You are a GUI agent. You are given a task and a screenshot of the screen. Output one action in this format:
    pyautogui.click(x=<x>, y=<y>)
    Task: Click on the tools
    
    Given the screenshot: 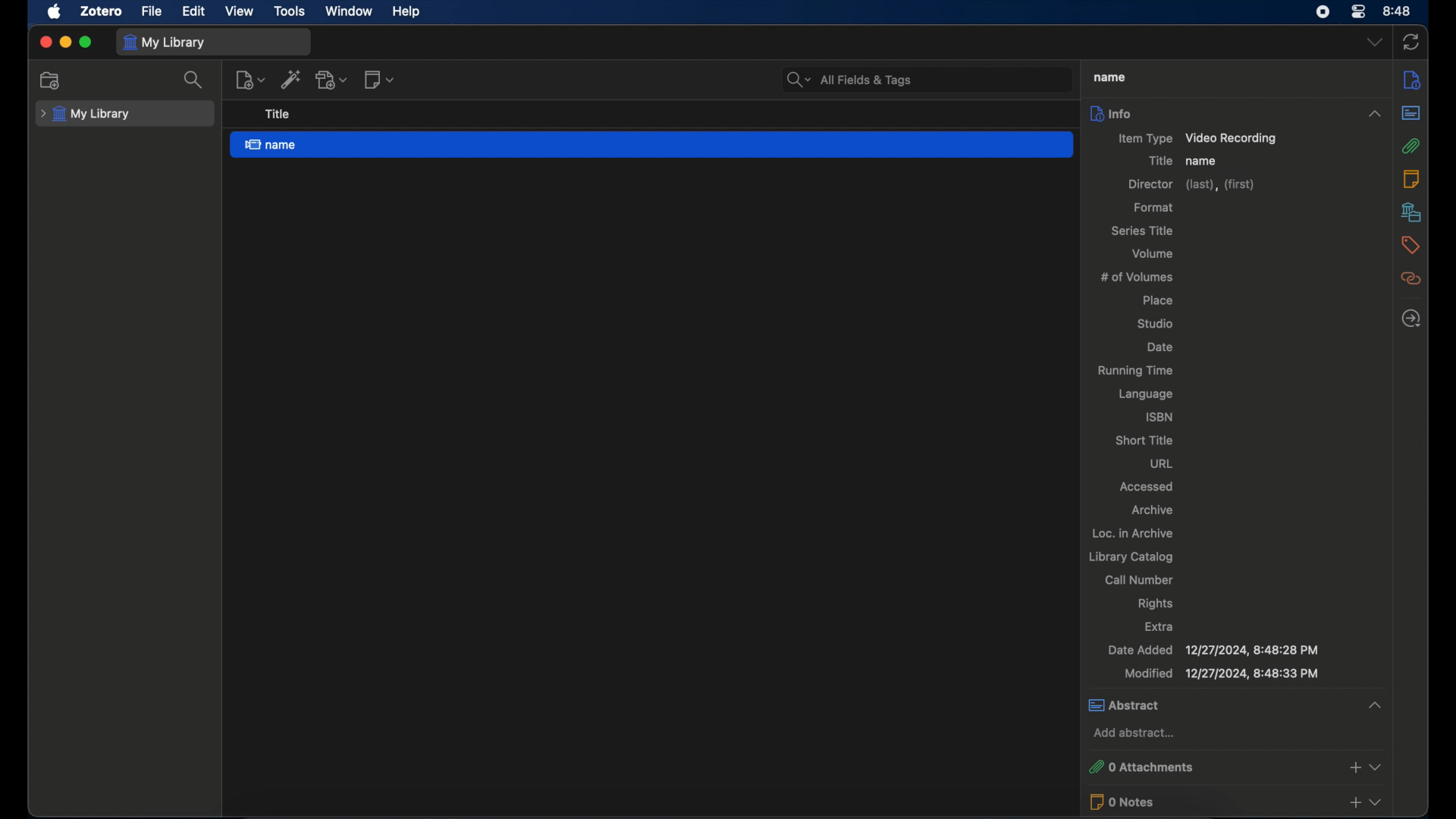 What is the action you would take?
    pyautogui.click(x=290, y=11)
    